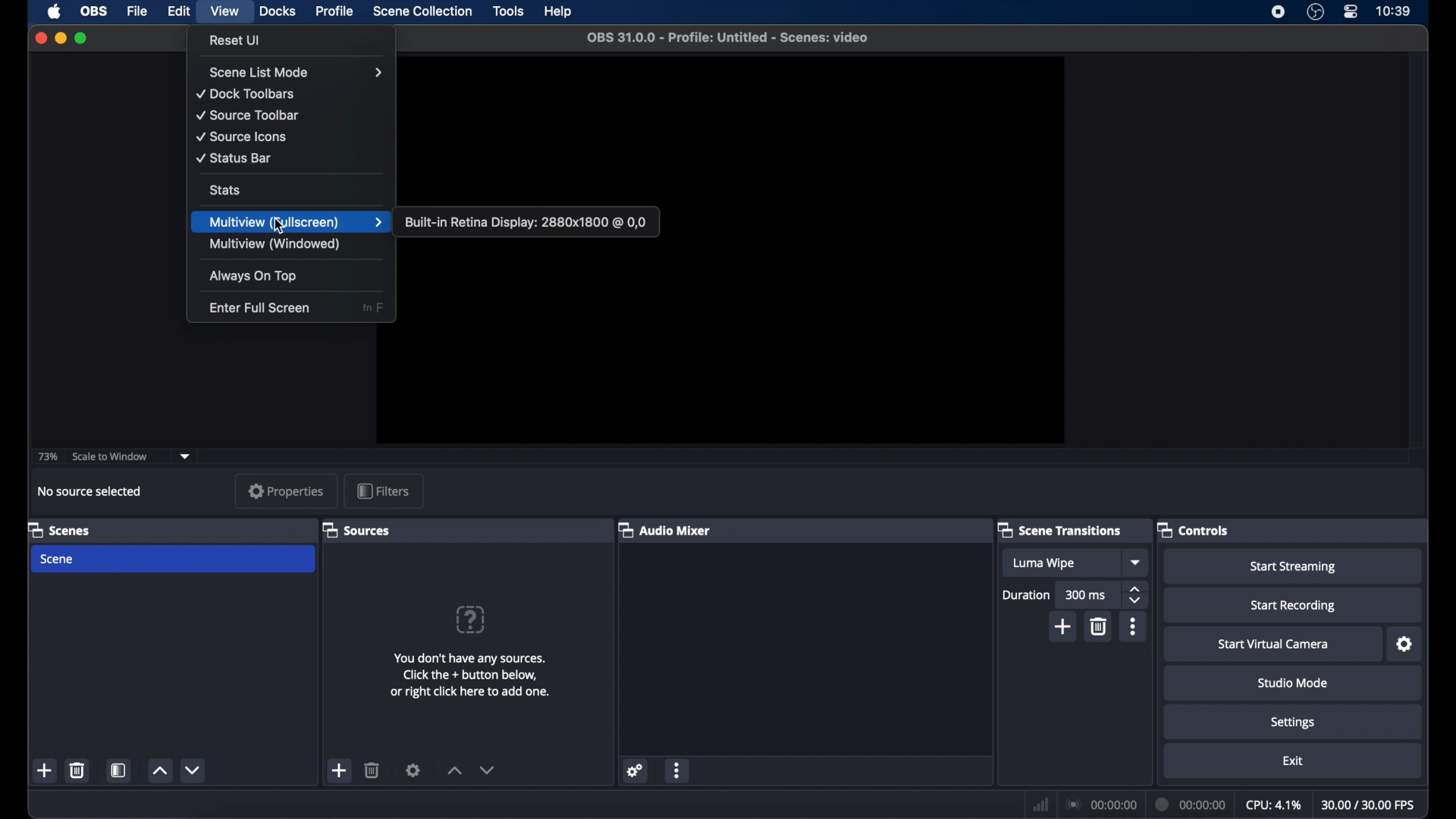  I want to click on decrement, so click(192, 770).